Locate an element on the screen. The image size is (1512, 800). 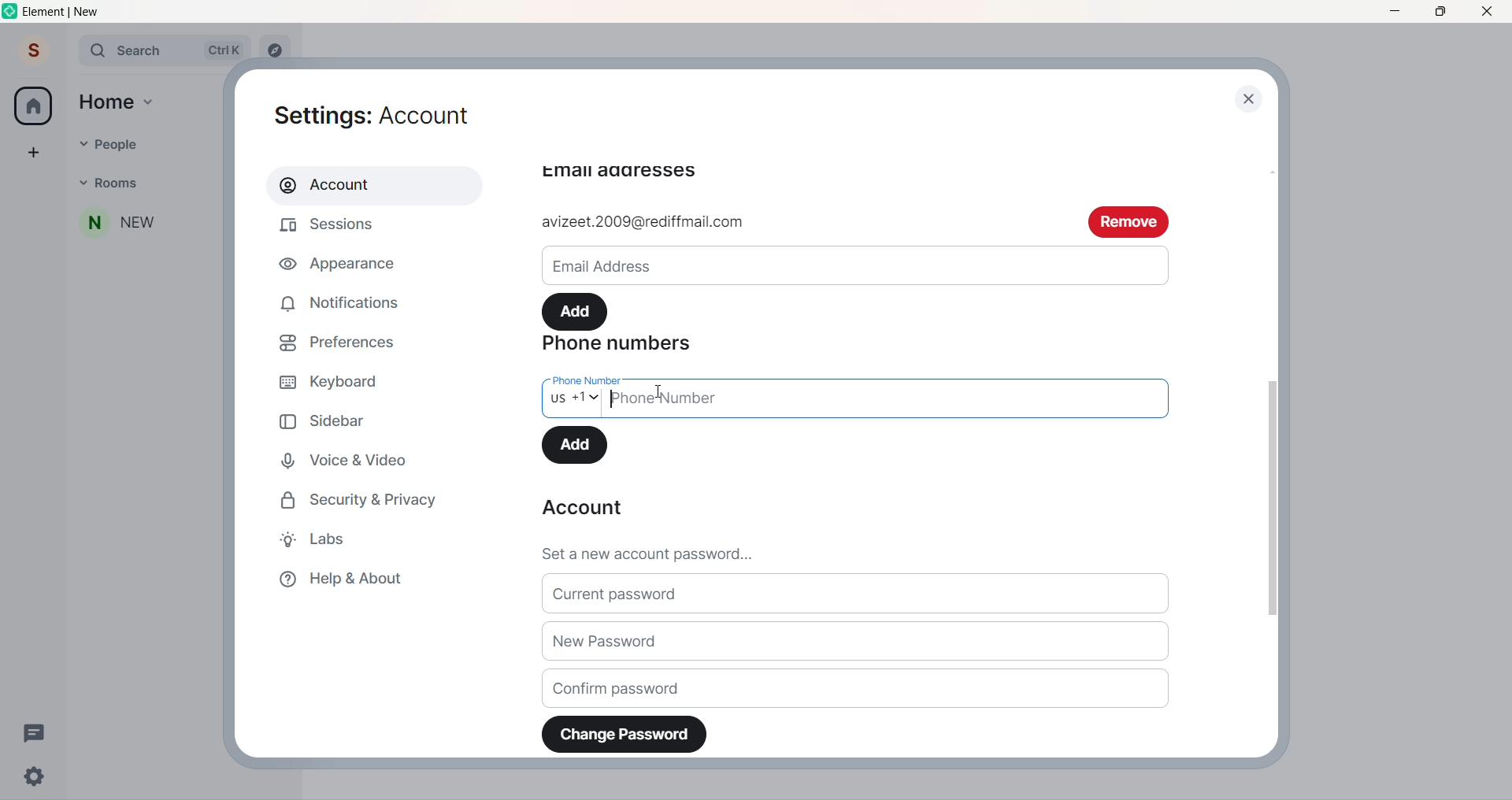
Scroll bar up is located at coordinates (1269, 169).